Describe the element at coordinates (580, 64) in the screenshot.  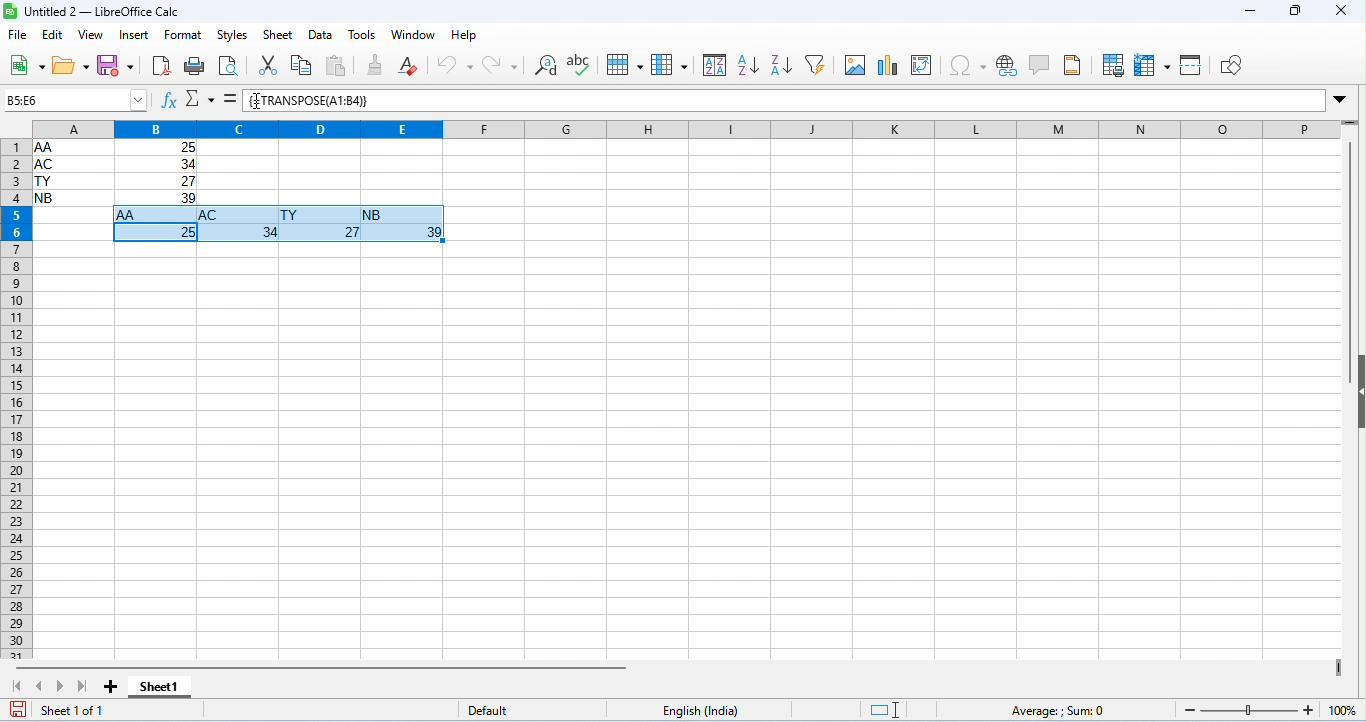
I see `spelling` at that location.